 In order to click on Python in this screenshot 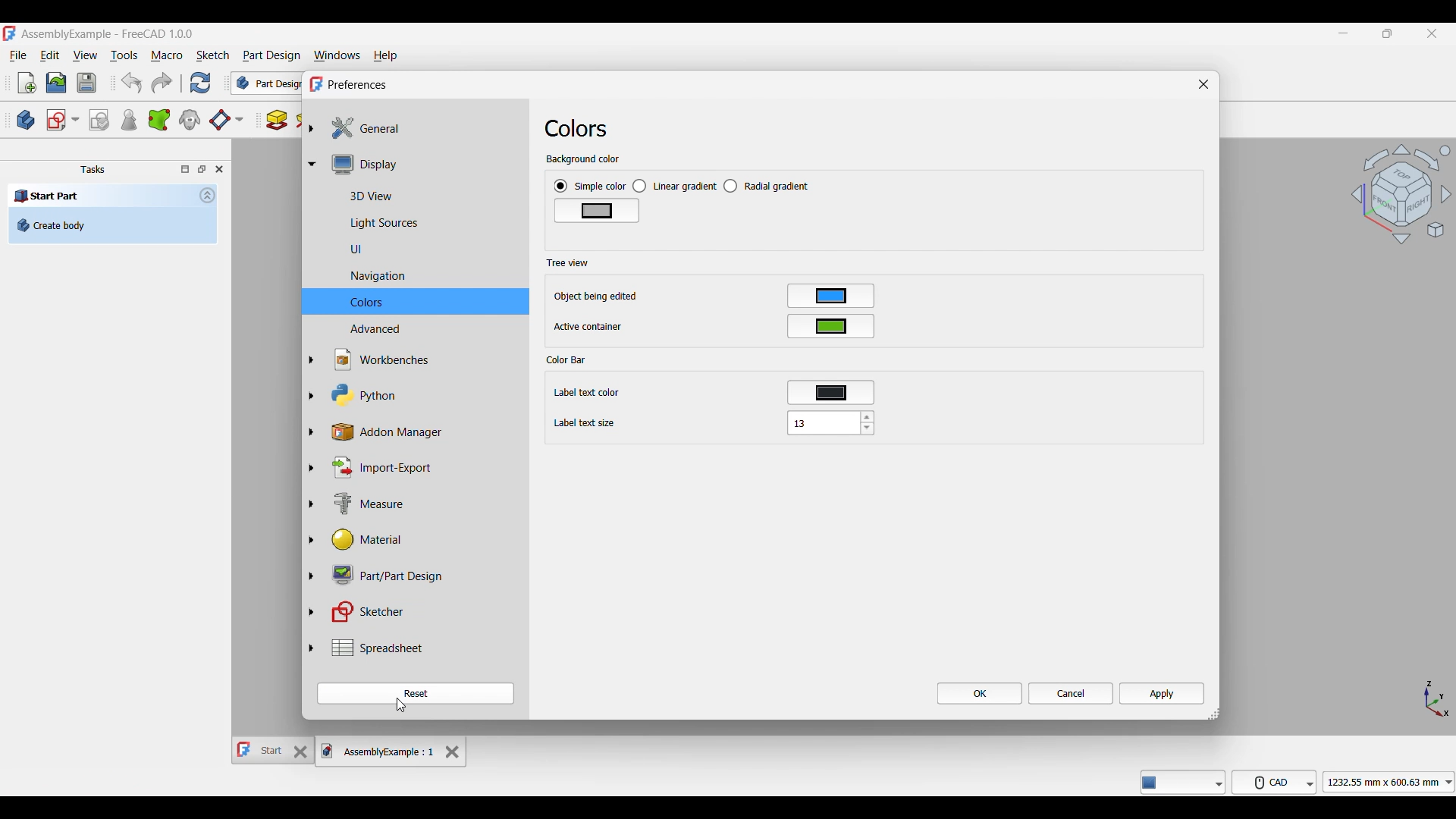, I will do `click(354, 395)`.